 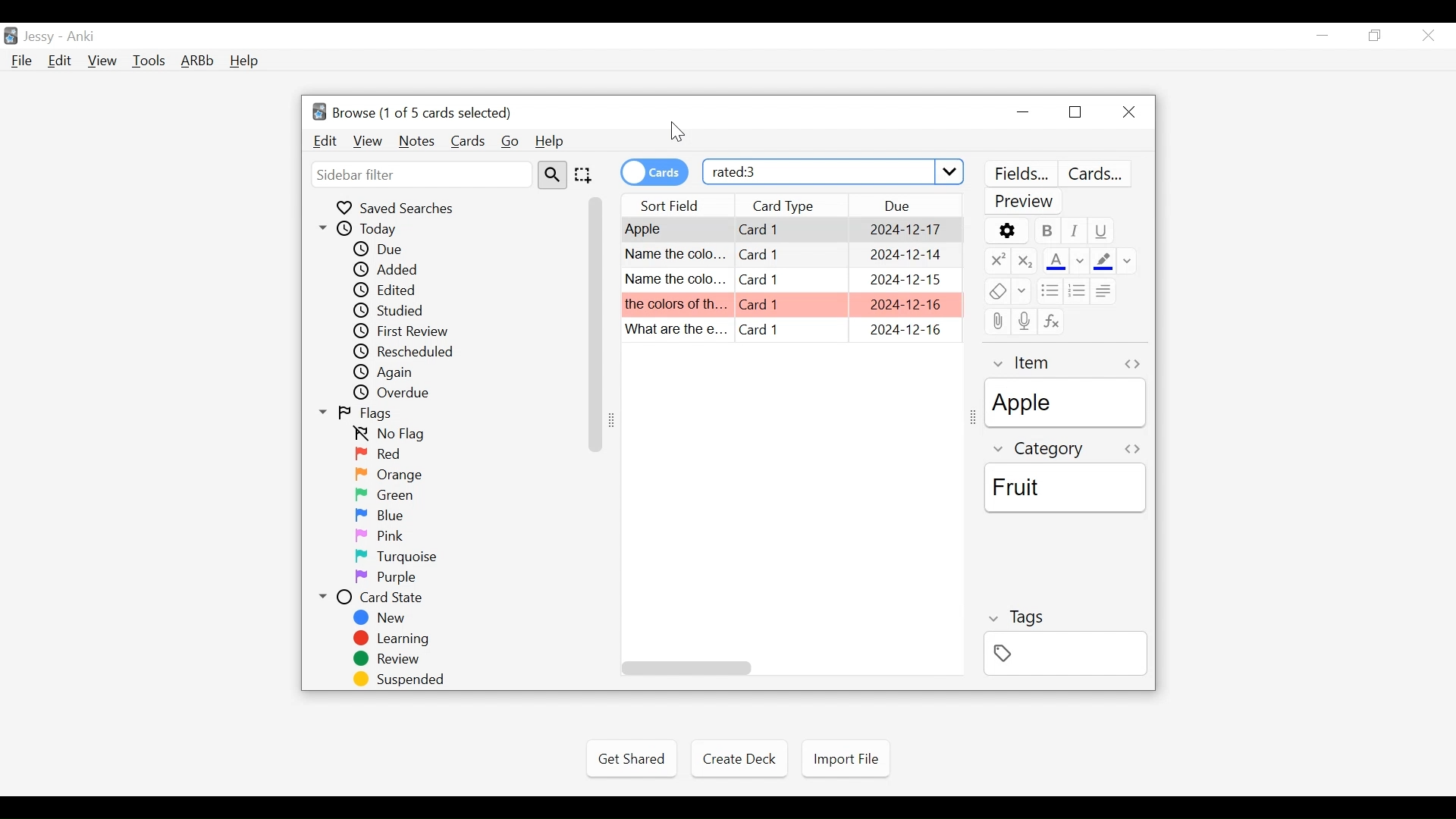 What do you see at coordinates (997, 322) in the screenshot?
I see `Upload Files` at bounding box center [997, 322].